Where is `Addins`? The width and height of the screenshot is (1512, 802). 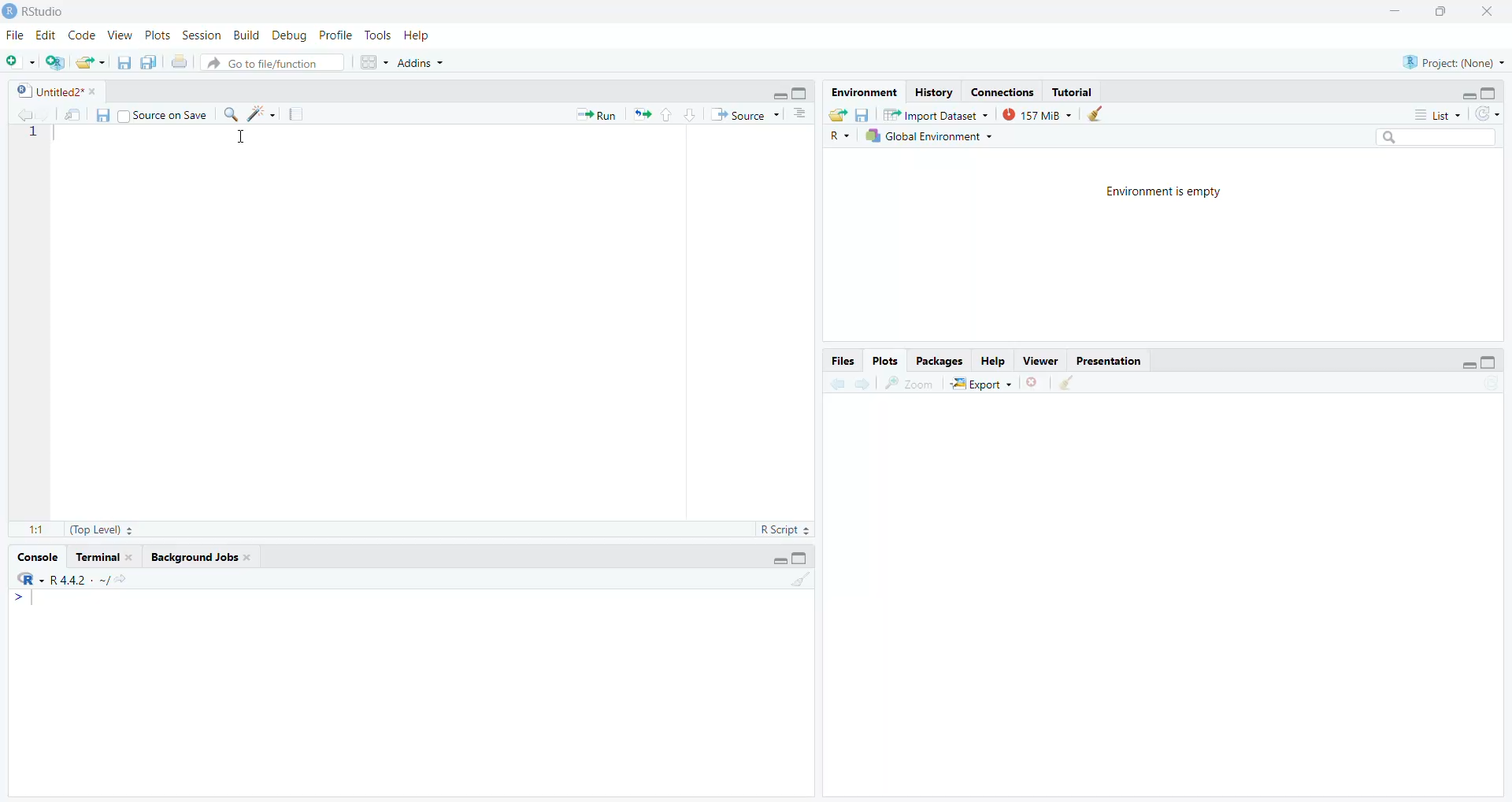 Addins is located at coordinates (417, 61).